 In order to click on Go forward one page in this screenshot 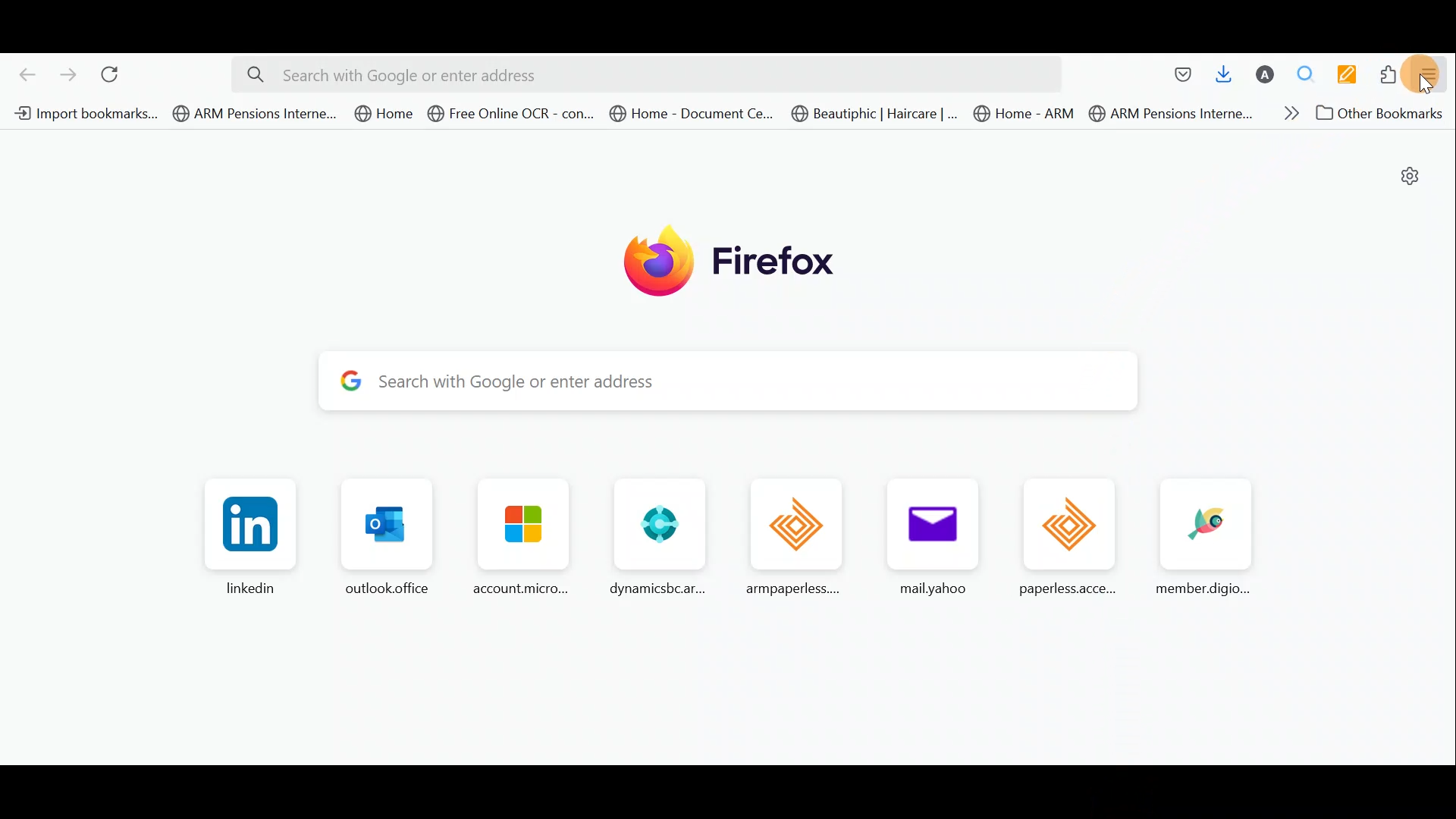, I will do `click(67, 74)`.